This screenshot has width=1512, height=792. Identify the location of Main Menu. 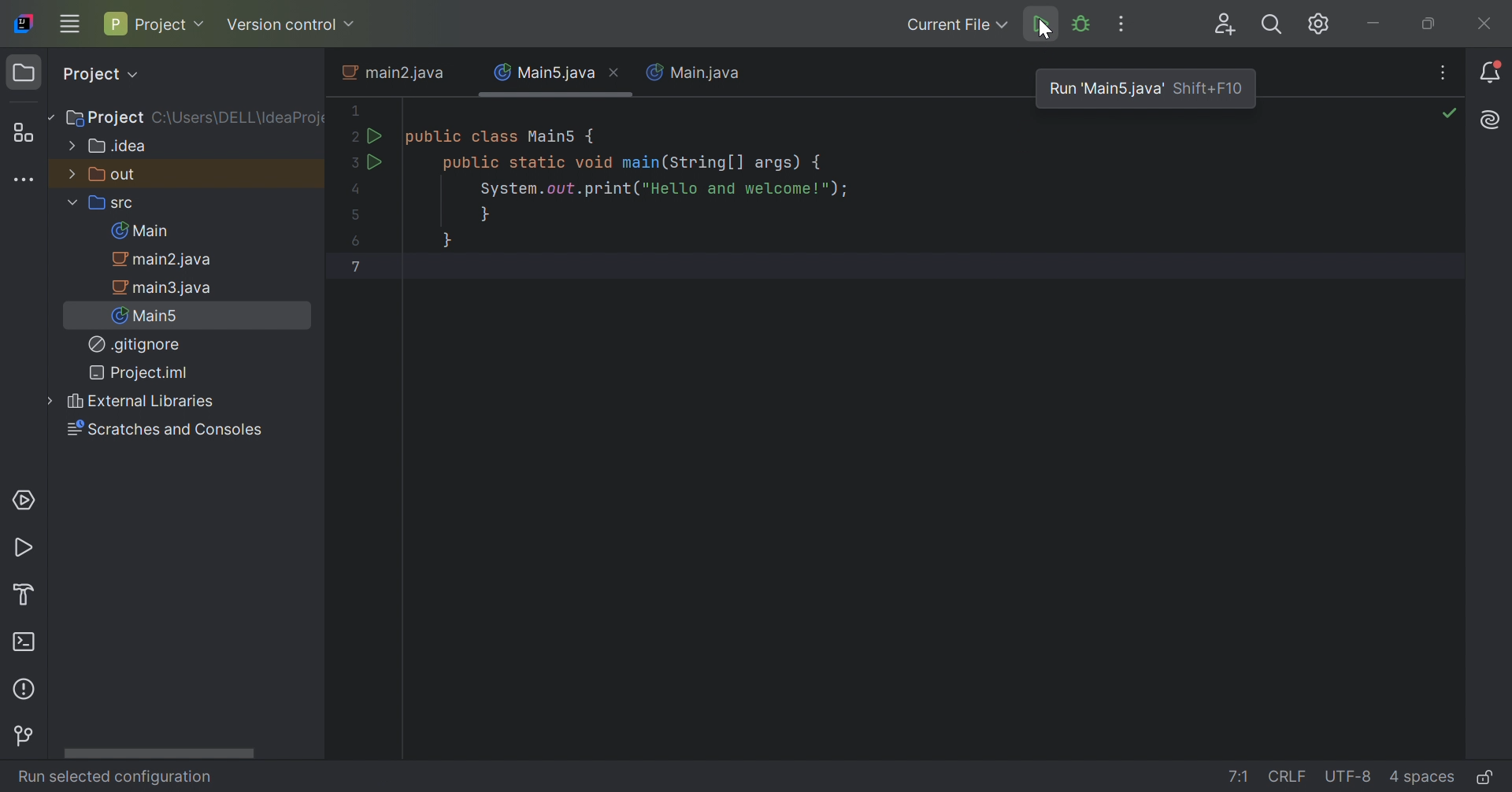
(69, 25).